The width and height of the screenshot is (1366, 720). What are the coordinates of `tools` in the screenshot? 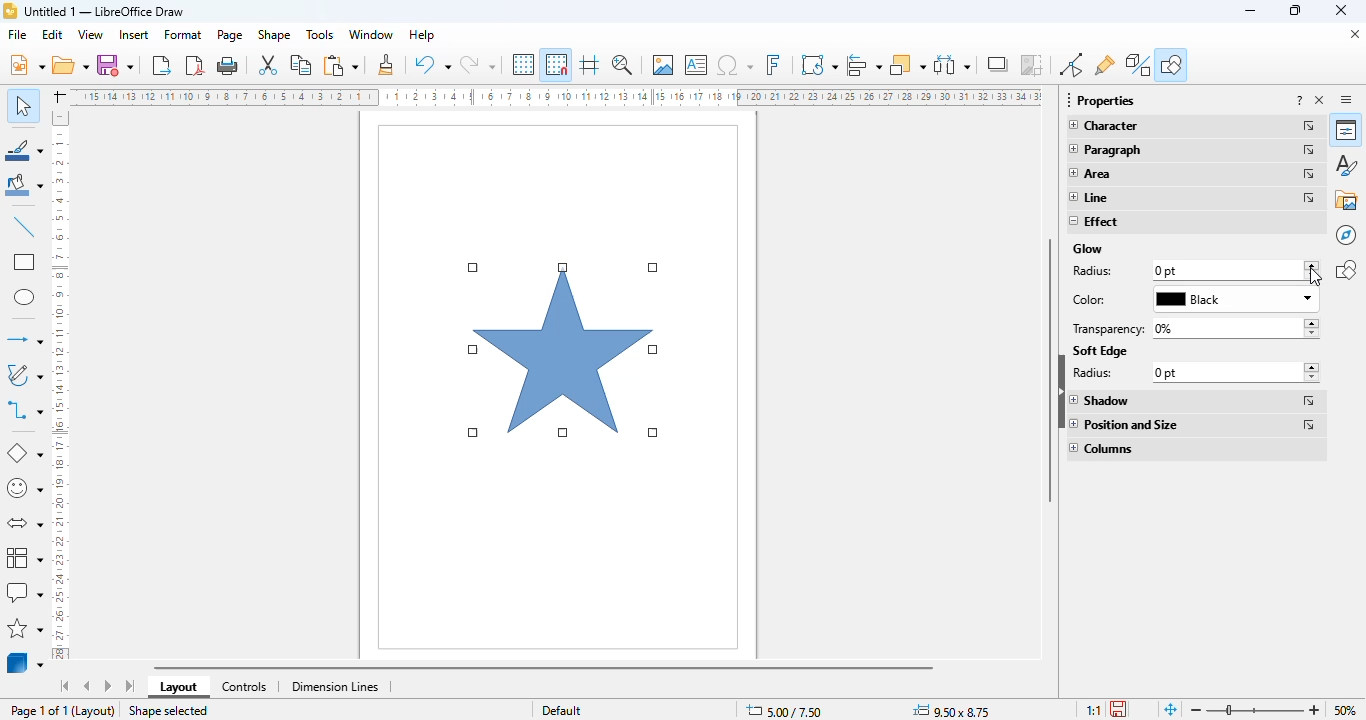 It's located at (320, 35).